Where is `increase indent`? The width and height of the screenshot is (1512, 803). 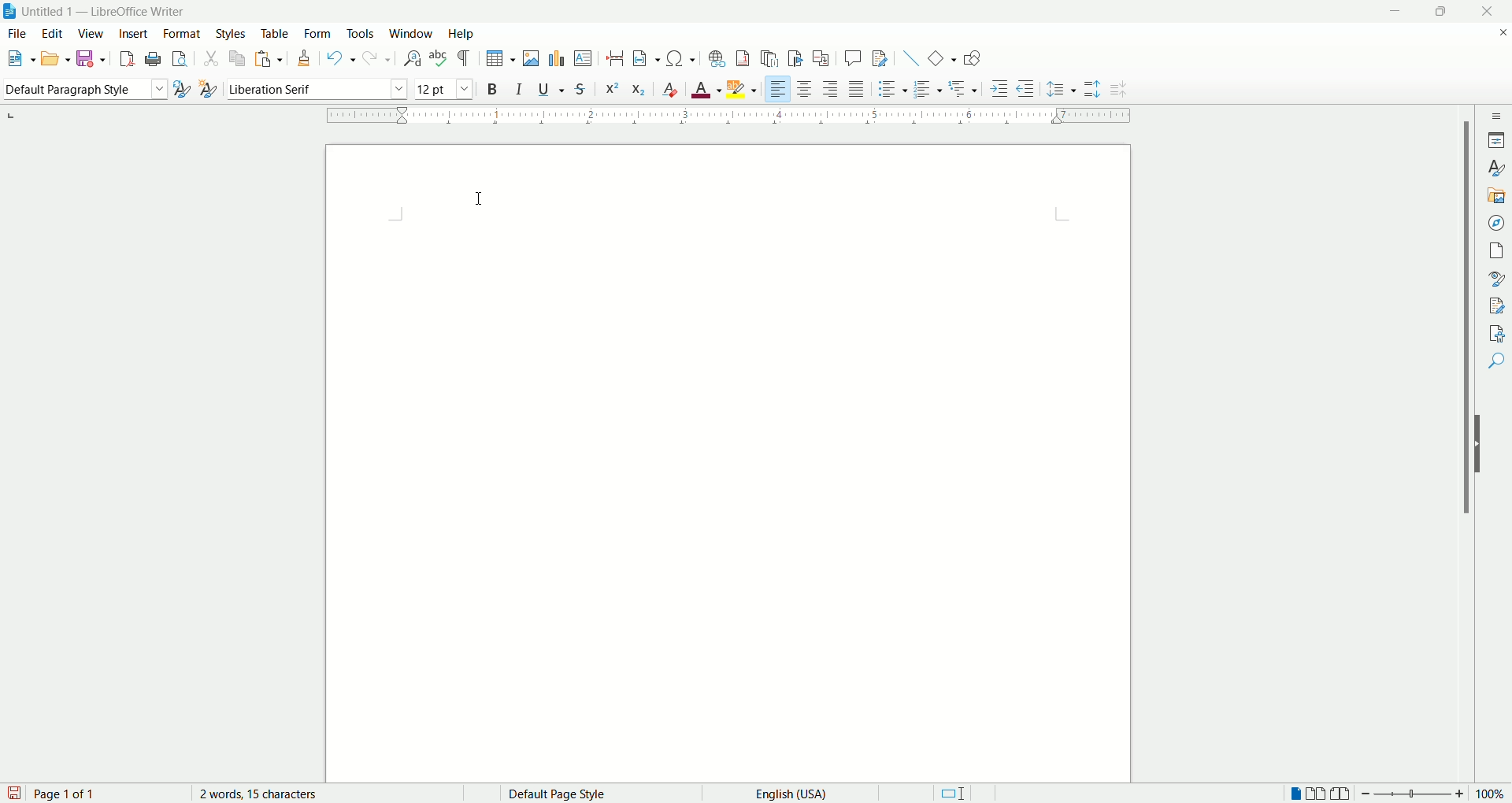
increase indent is located at coordinates (999, 89).